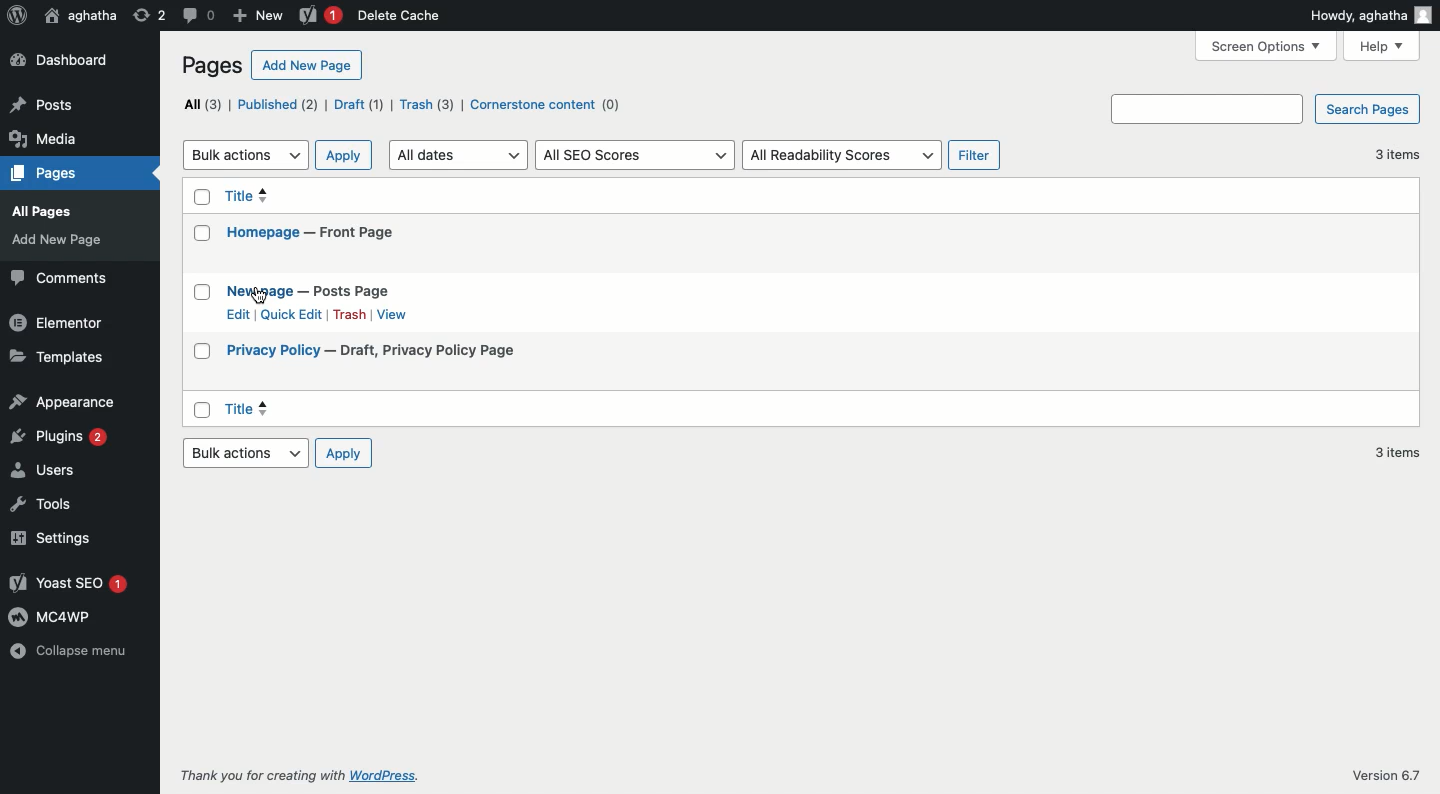 This screenshot has width=1440, height=794. I want to click on search box, so click(1206, 109).